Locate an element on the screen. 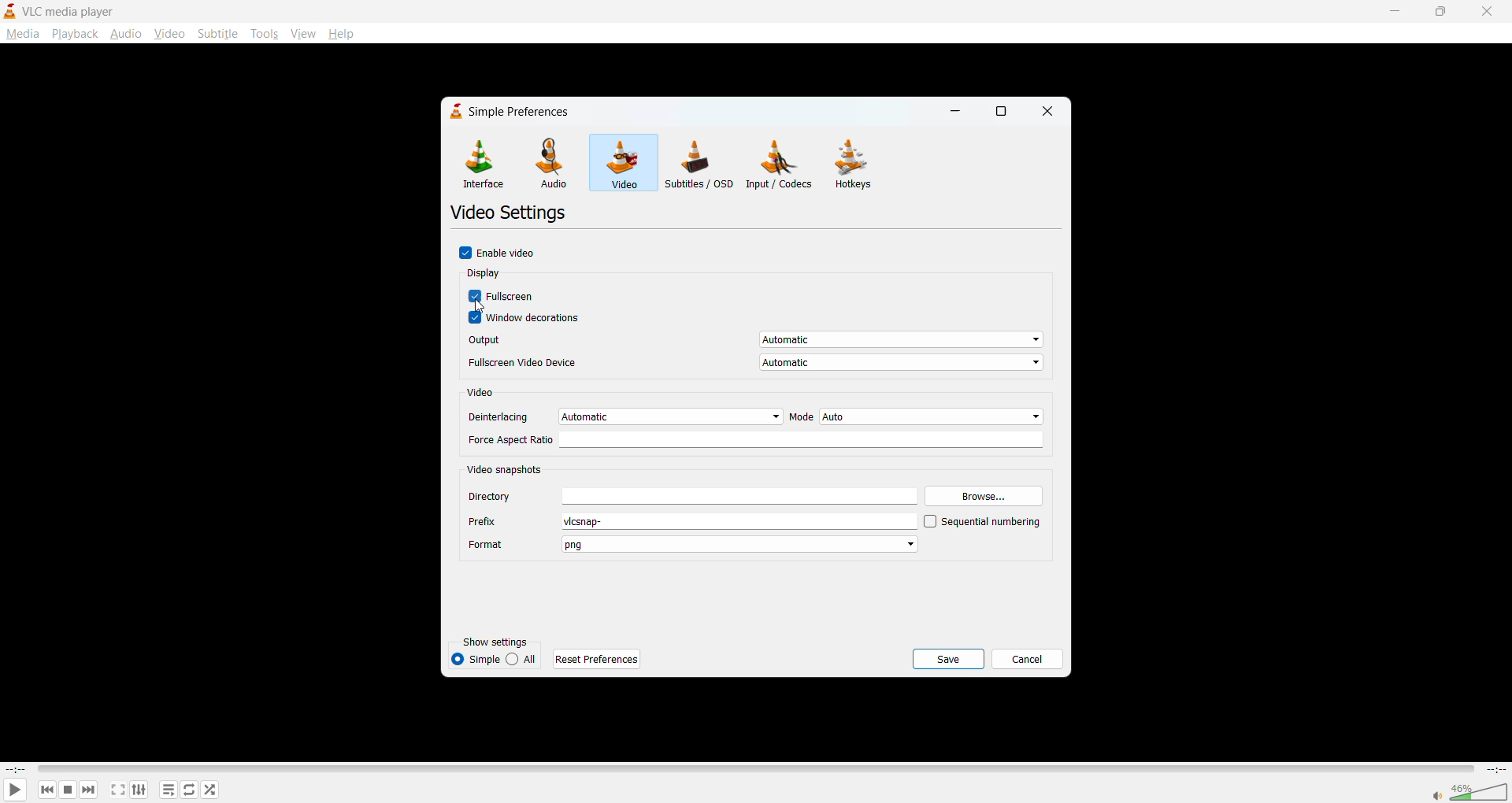  show settings is located at coordinates (502, 642).